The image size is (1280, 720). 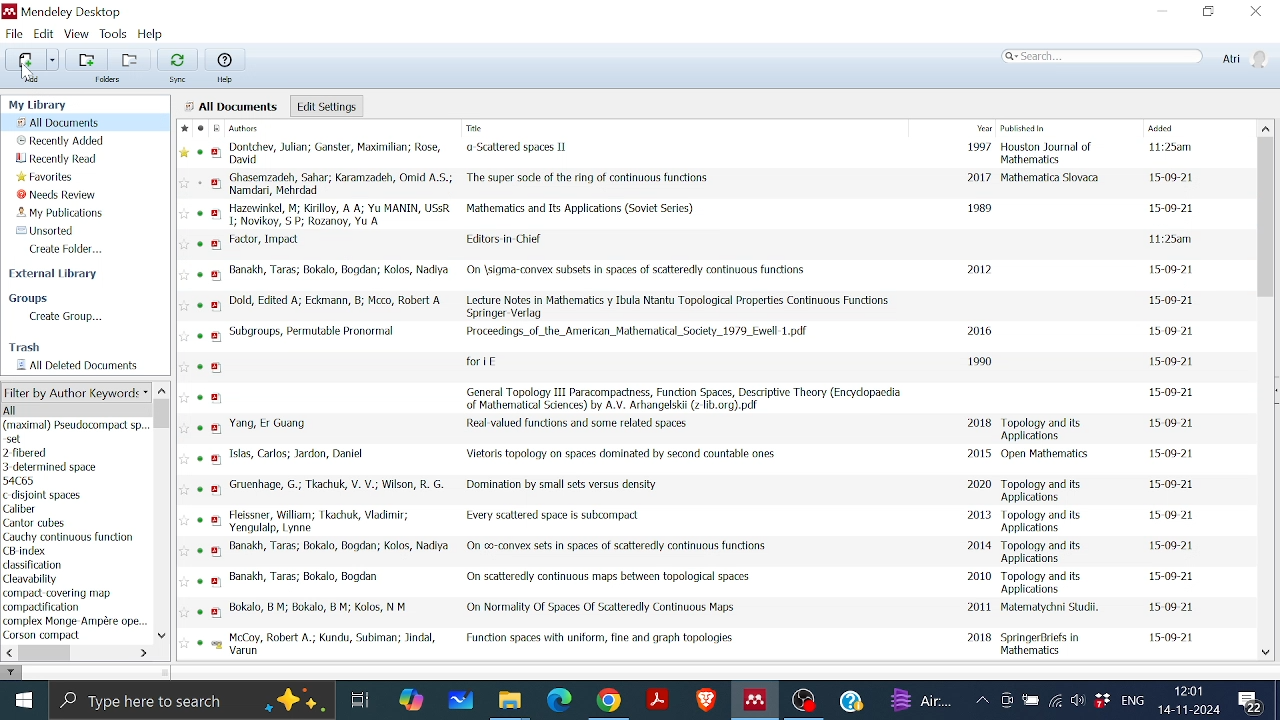 What do you see at coordinates (1169, 423) in the screenshot?
I see `date` at bounding box center [1169, 423].